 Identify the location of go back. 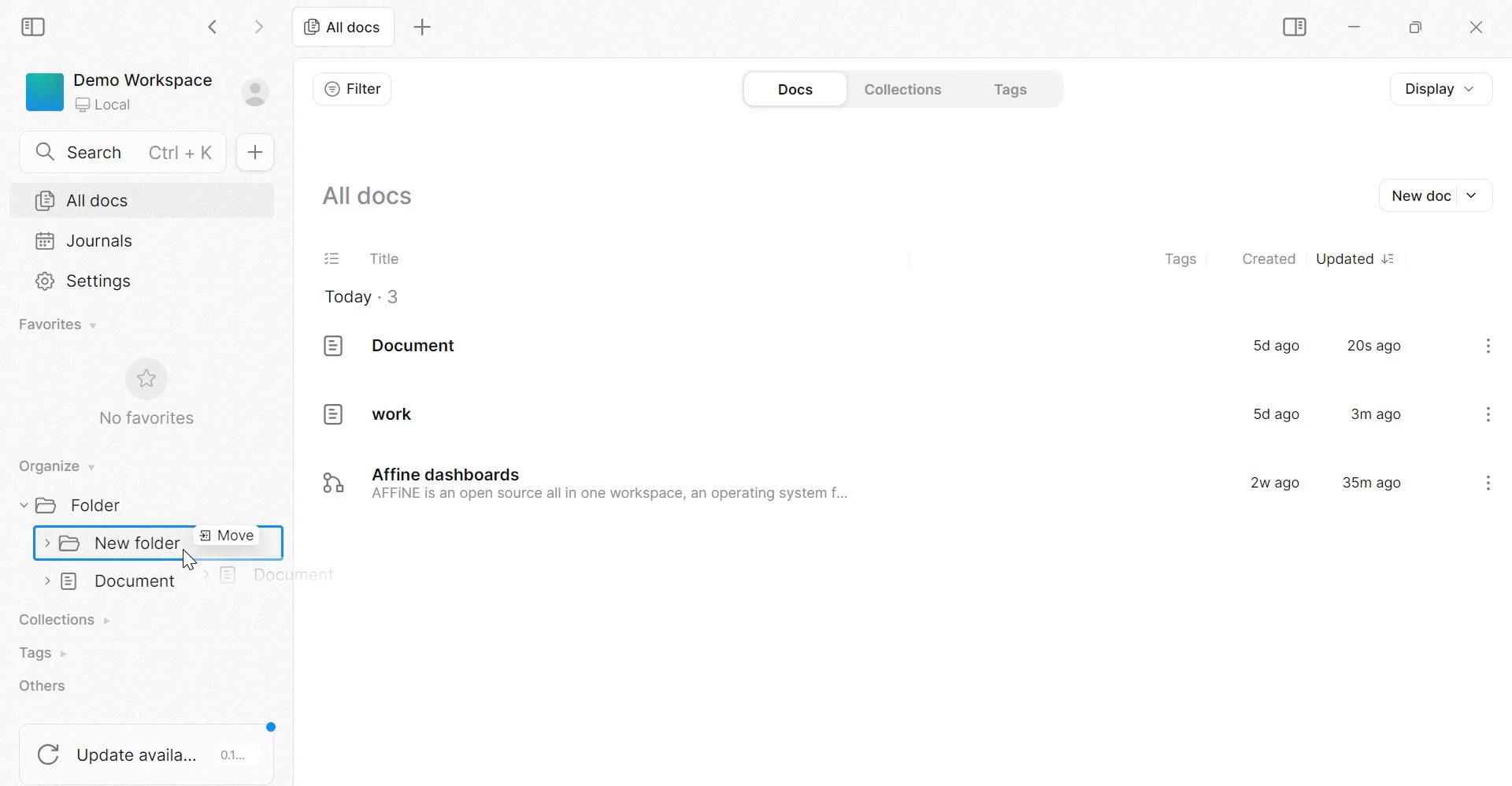
(215, 26).